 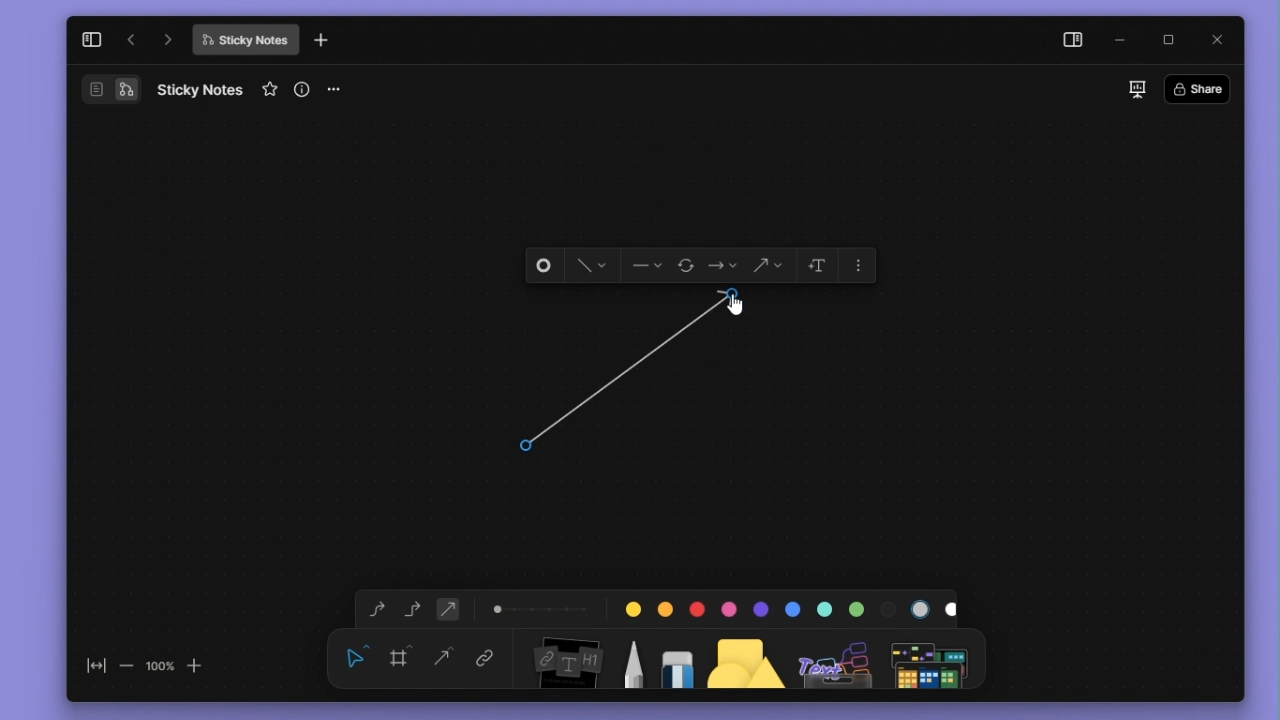 I want to click on straight, so click(x=448, y=608).